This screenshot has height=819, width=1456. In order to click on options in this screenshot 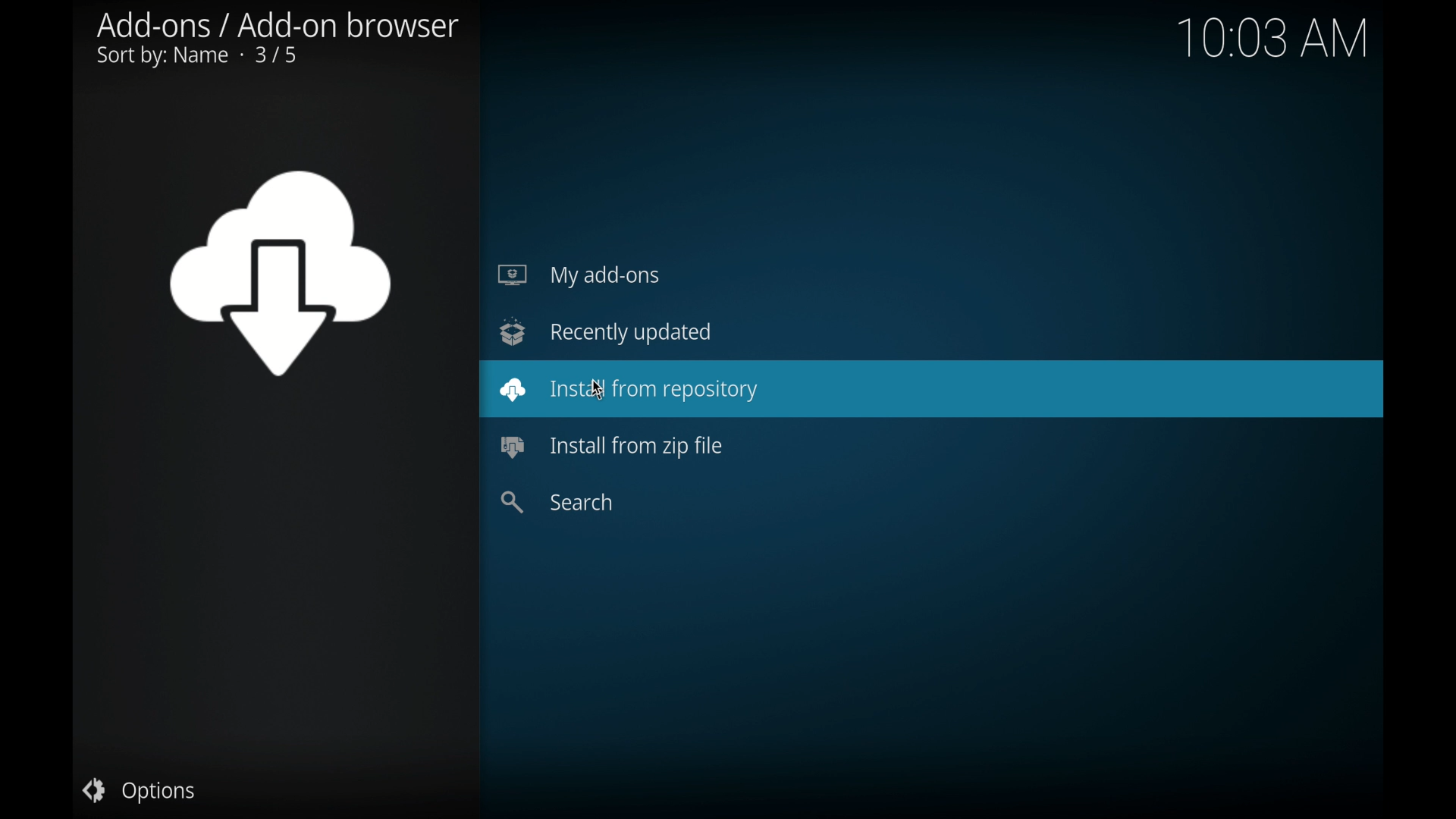, I will do `click(138, 792)`.